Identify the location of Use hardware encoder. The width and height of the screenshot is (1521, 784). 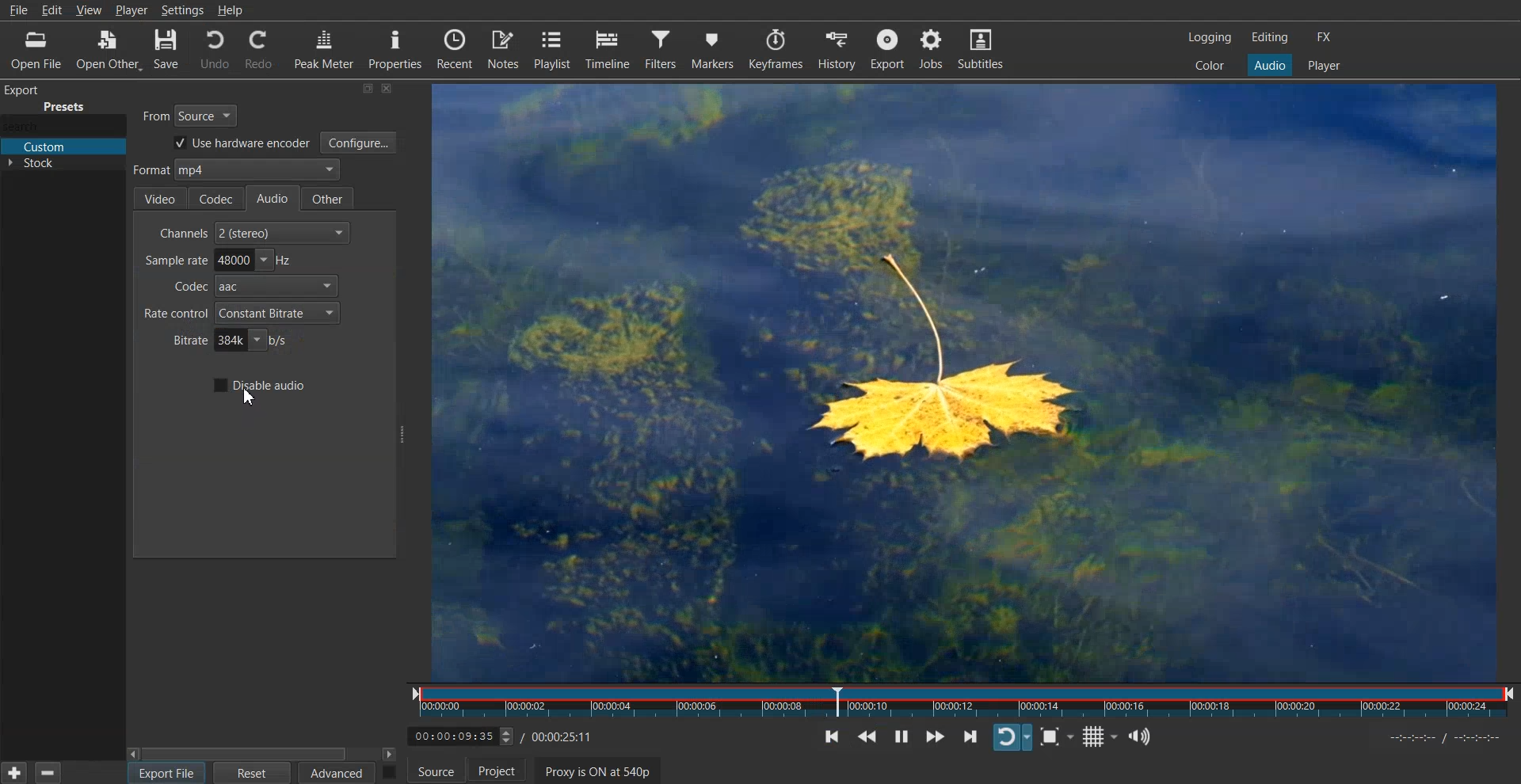
(238, 144).